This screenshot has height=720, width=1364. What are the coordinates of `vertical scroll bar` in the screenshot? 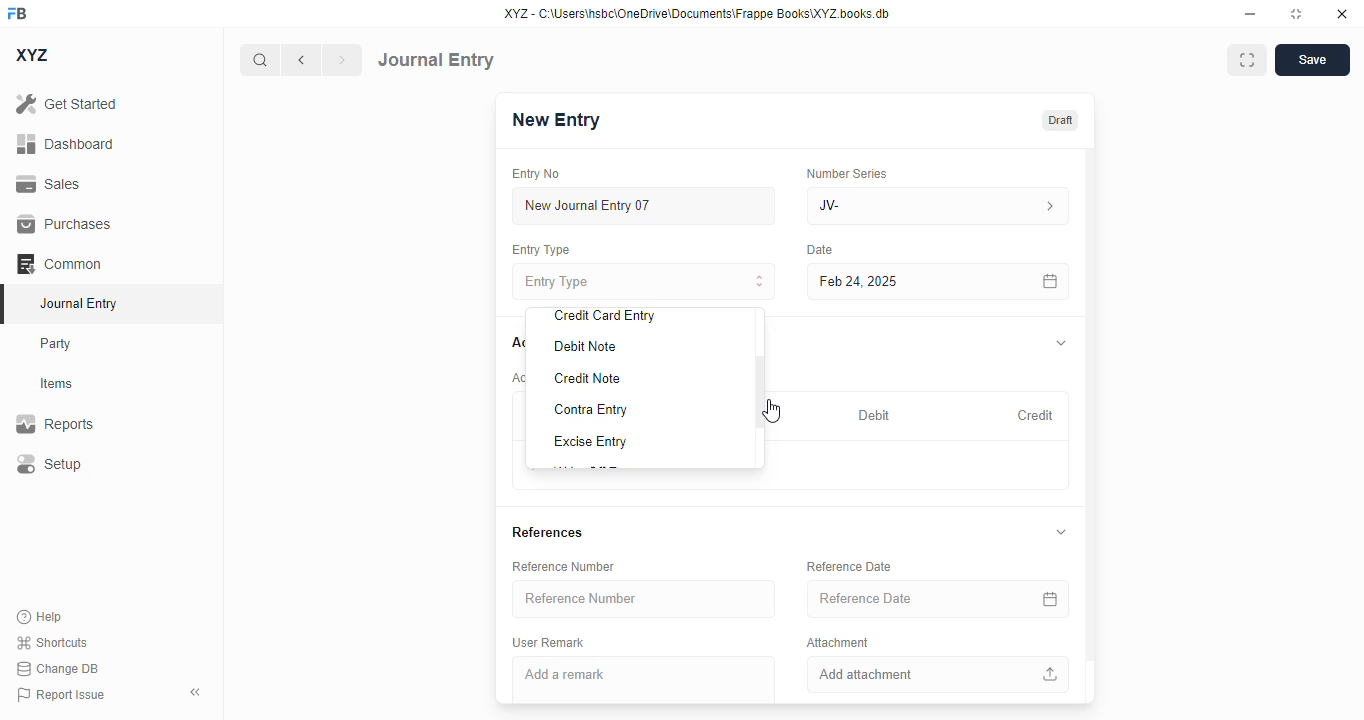 It's located at (1090, 426).